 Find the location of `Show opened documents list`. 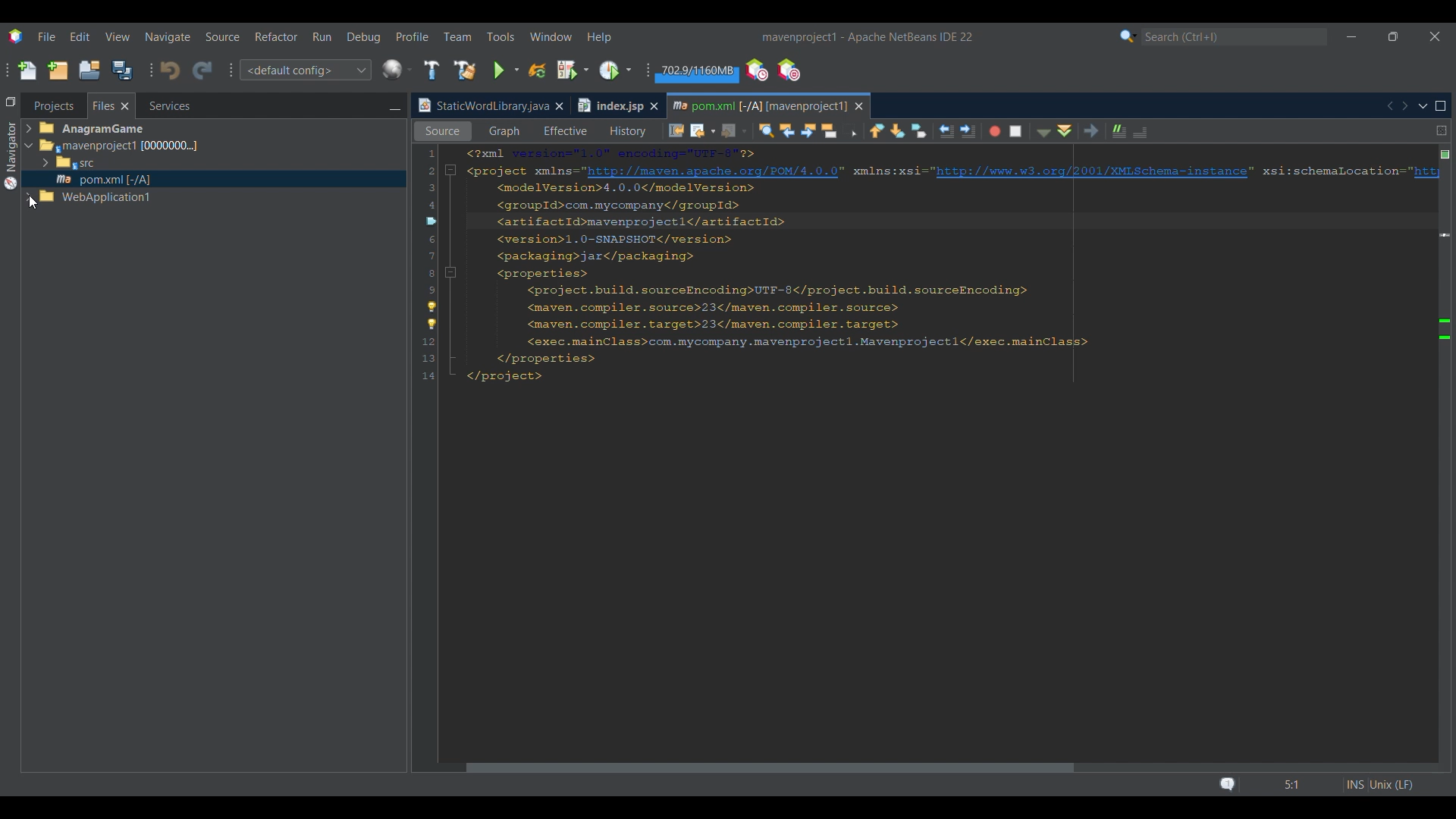

Show opened documents list is located at coordinates (1423, 107).